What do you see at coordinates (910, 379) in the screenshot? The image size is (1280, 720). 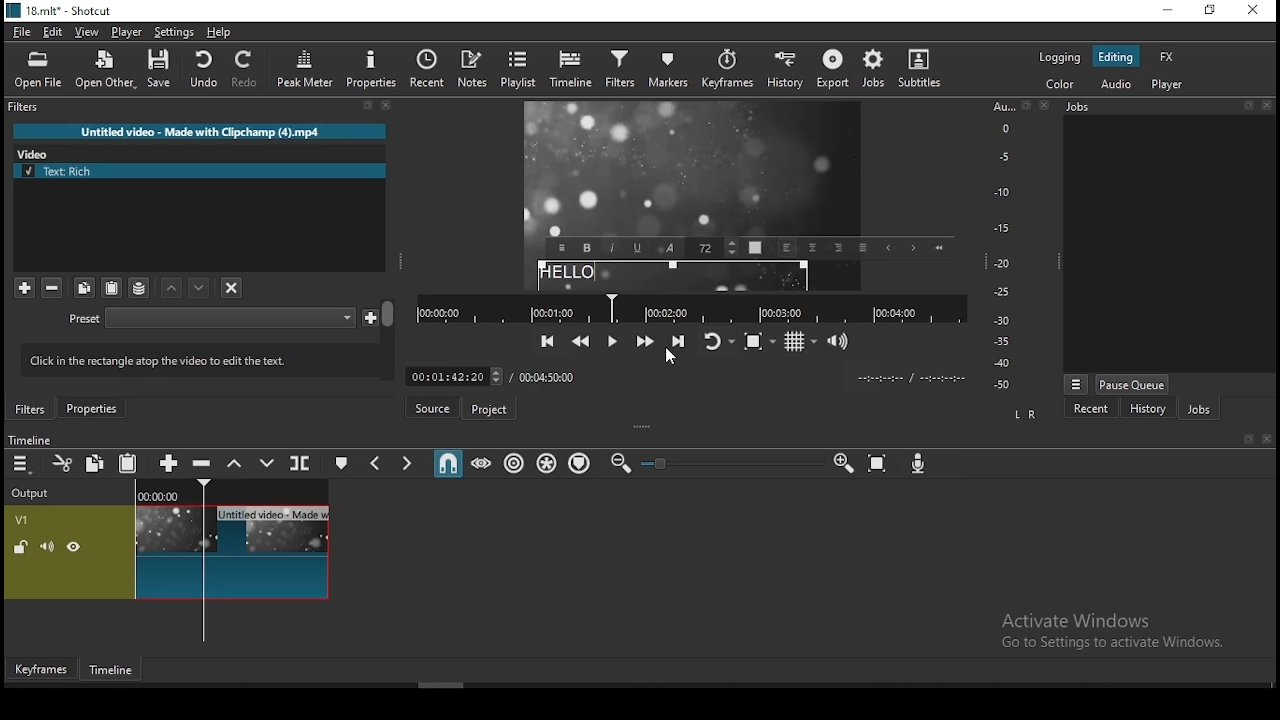 I see `Clip Time` at bounding box center [910, 379].